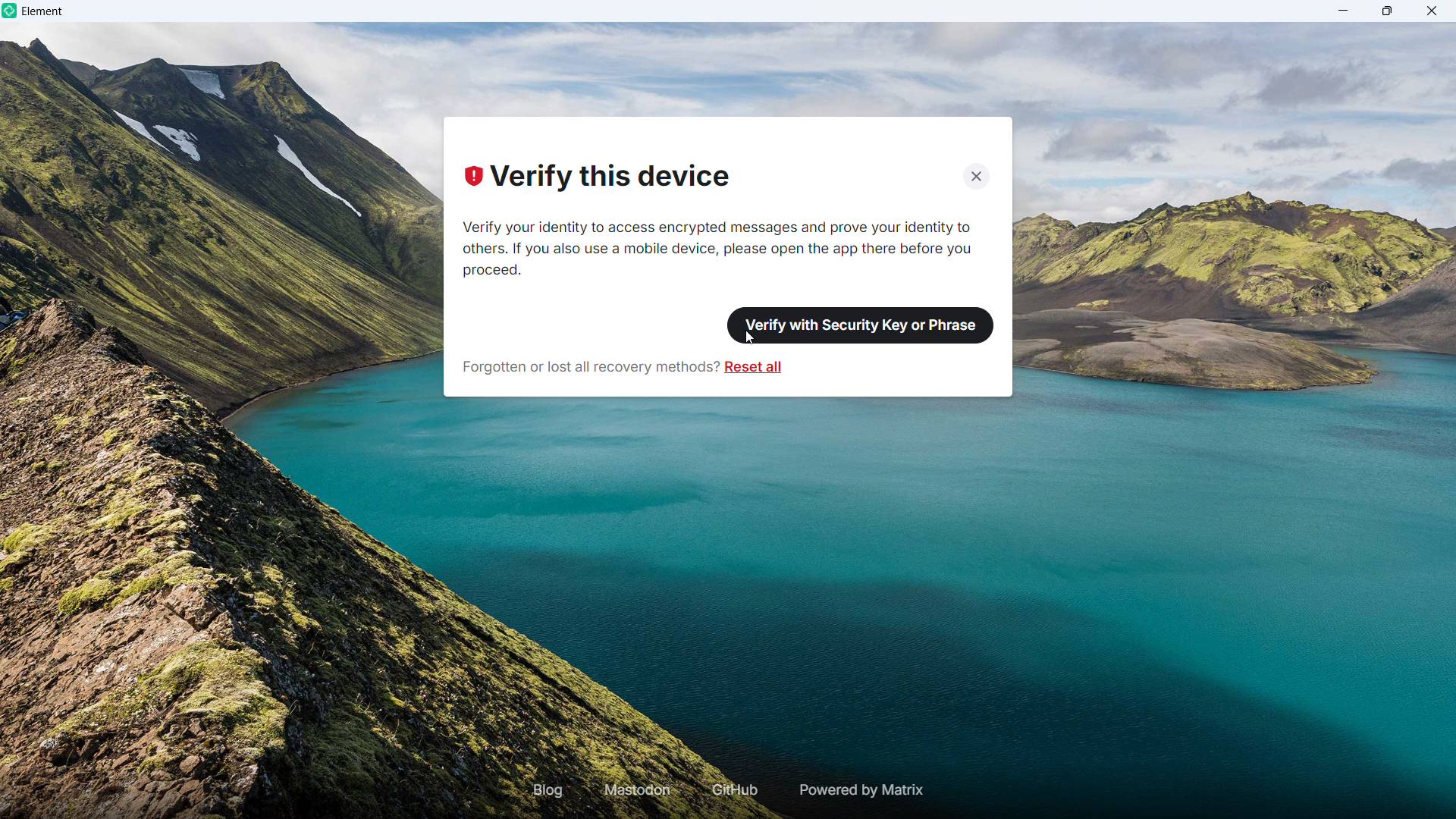 This screenshot has width=1456, height=819. Describe the element at coordinates (43, 13) in the screenshot. I see `element` at that location.